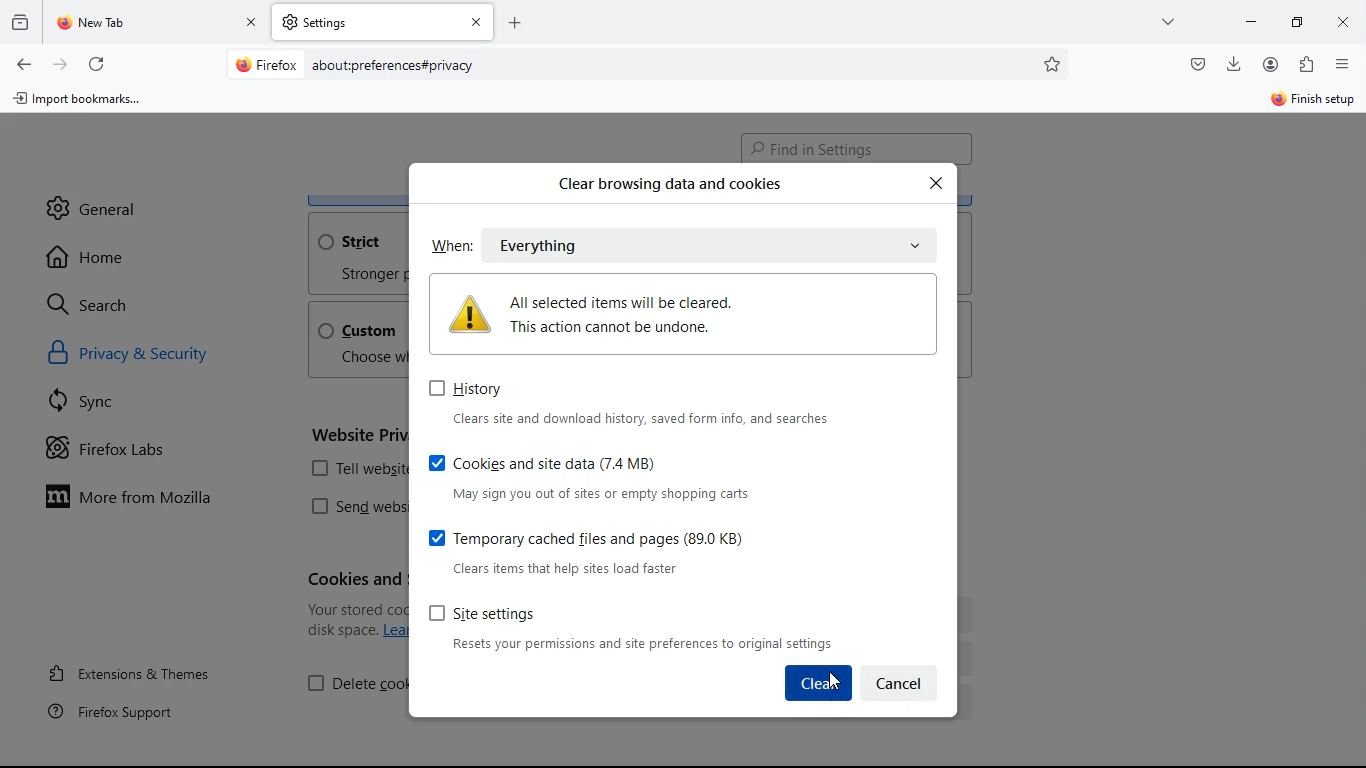  Describe the element at coordinates (835, 680) in the screenshot. I see `Cursor` at that location.